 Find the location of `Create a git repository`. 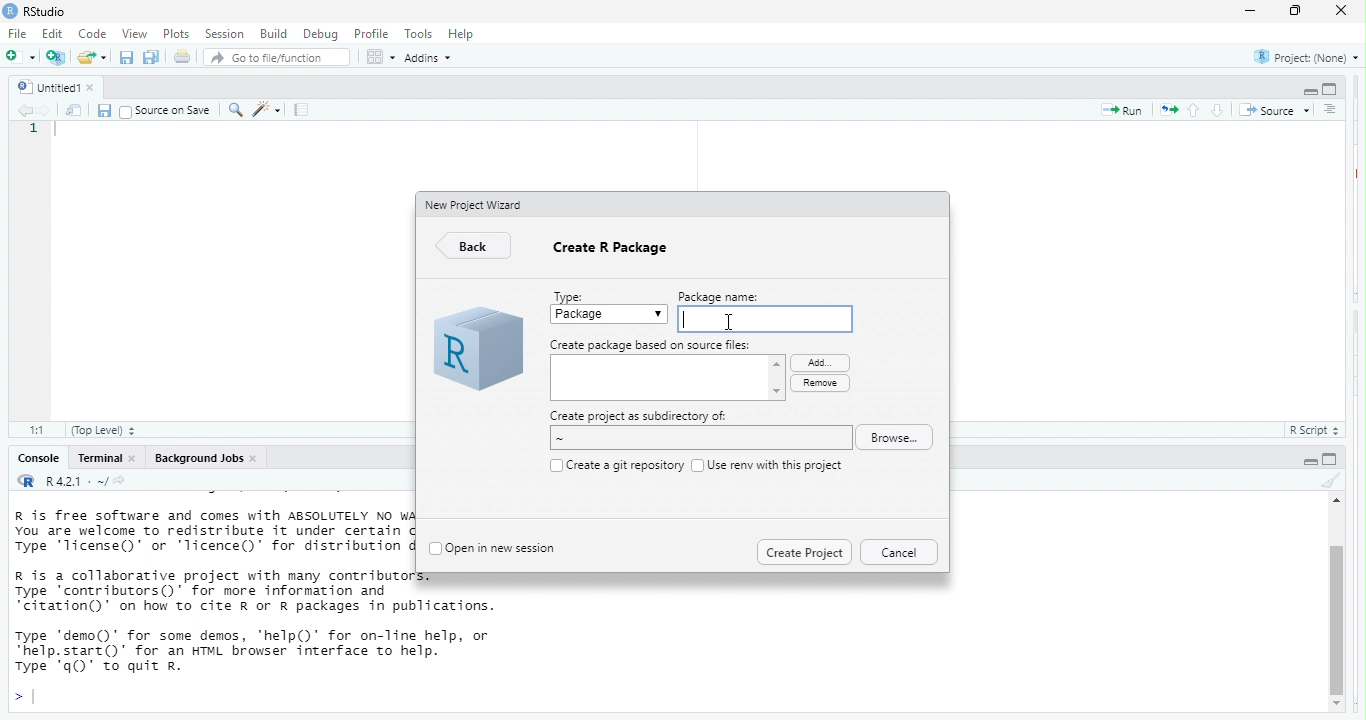

Create a git repository is located at coordinates (624, 464).